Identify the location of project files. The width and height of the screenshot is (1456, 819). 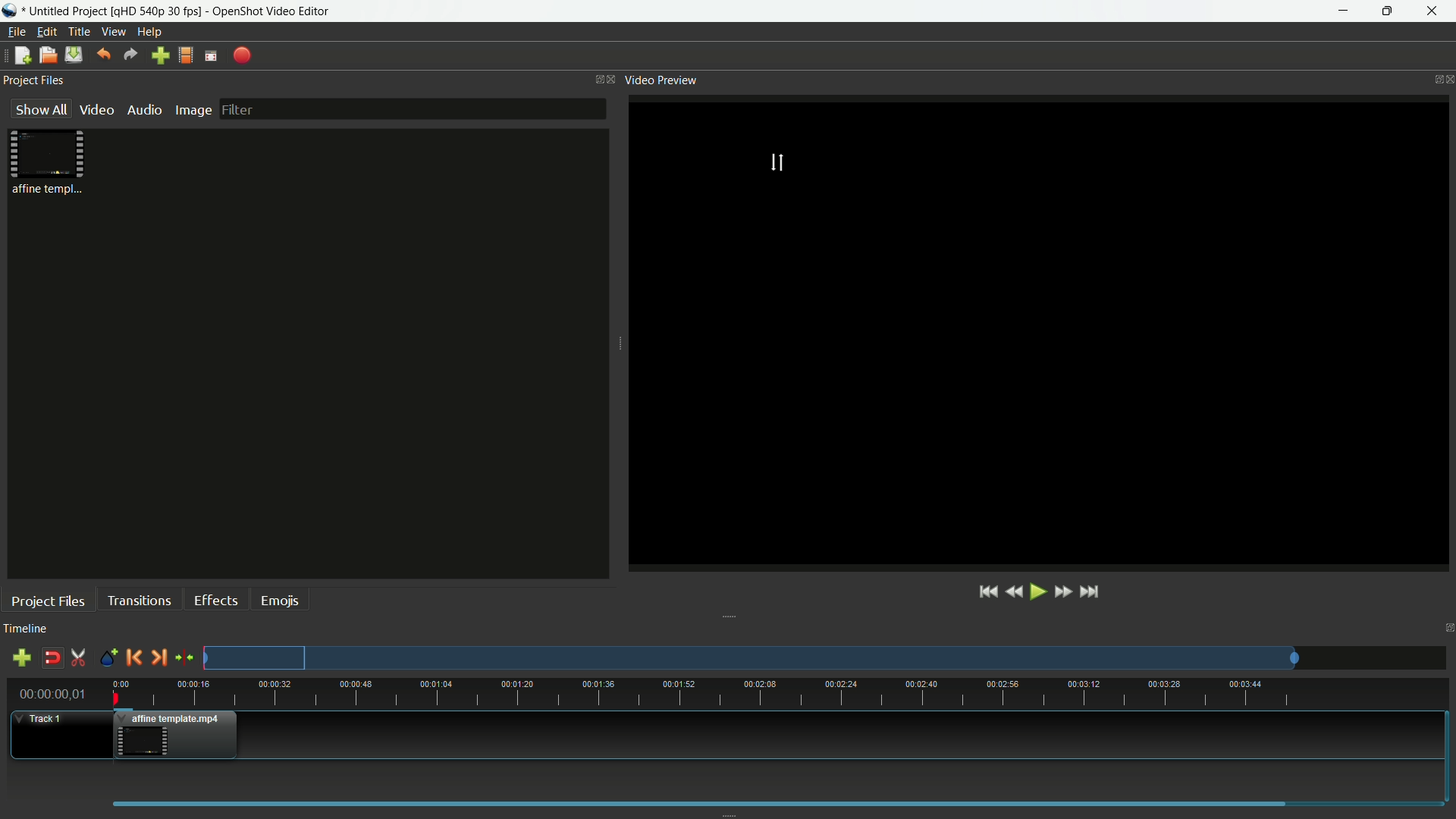
(34, 80).